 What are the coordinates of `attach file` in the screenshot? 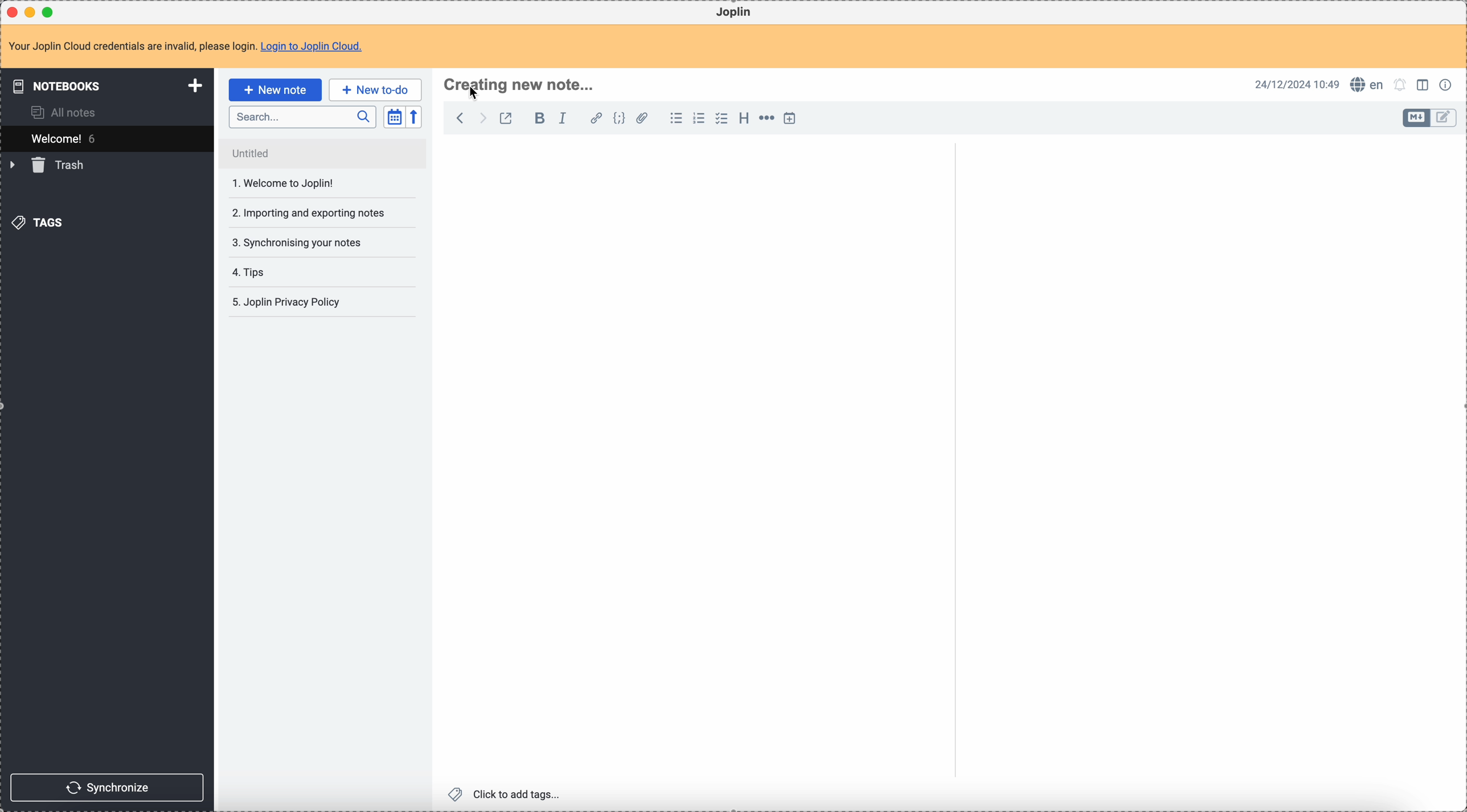 It's located at (644, 119).